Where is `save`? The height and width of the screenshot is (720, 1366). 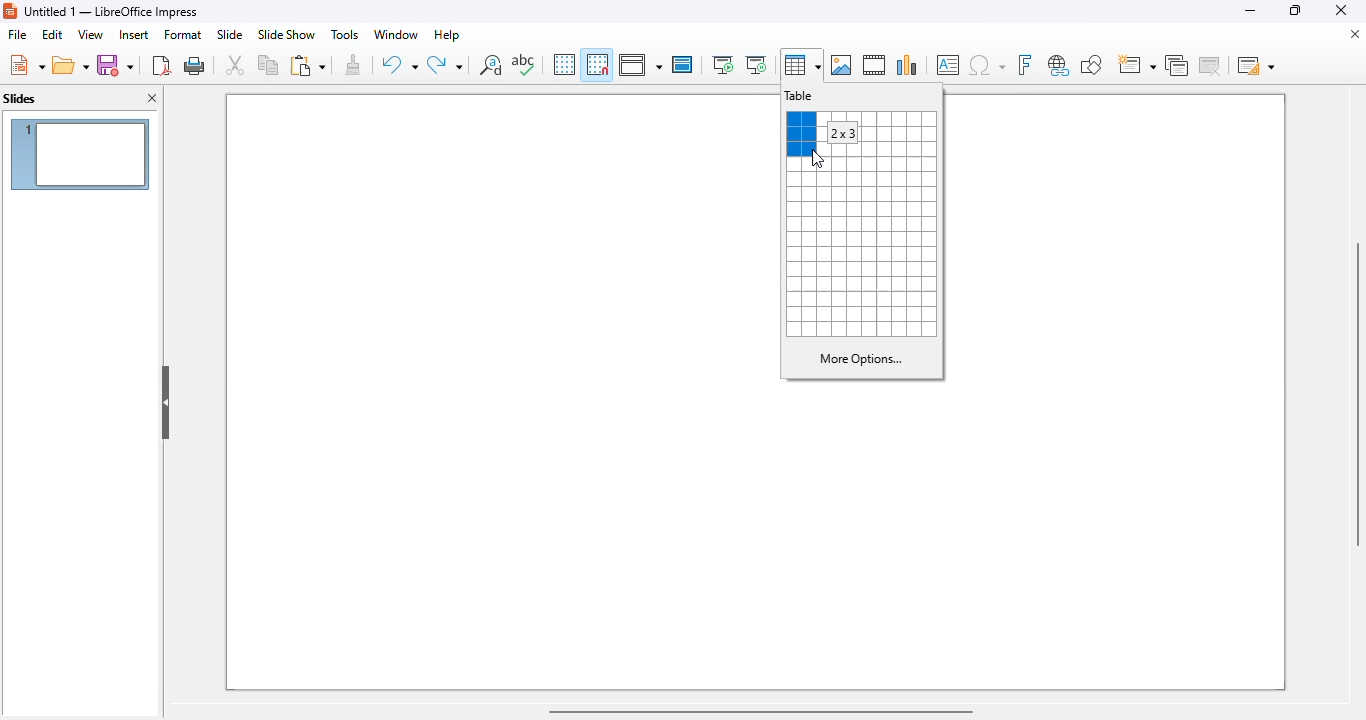 save is located at coordinates (115, 64).